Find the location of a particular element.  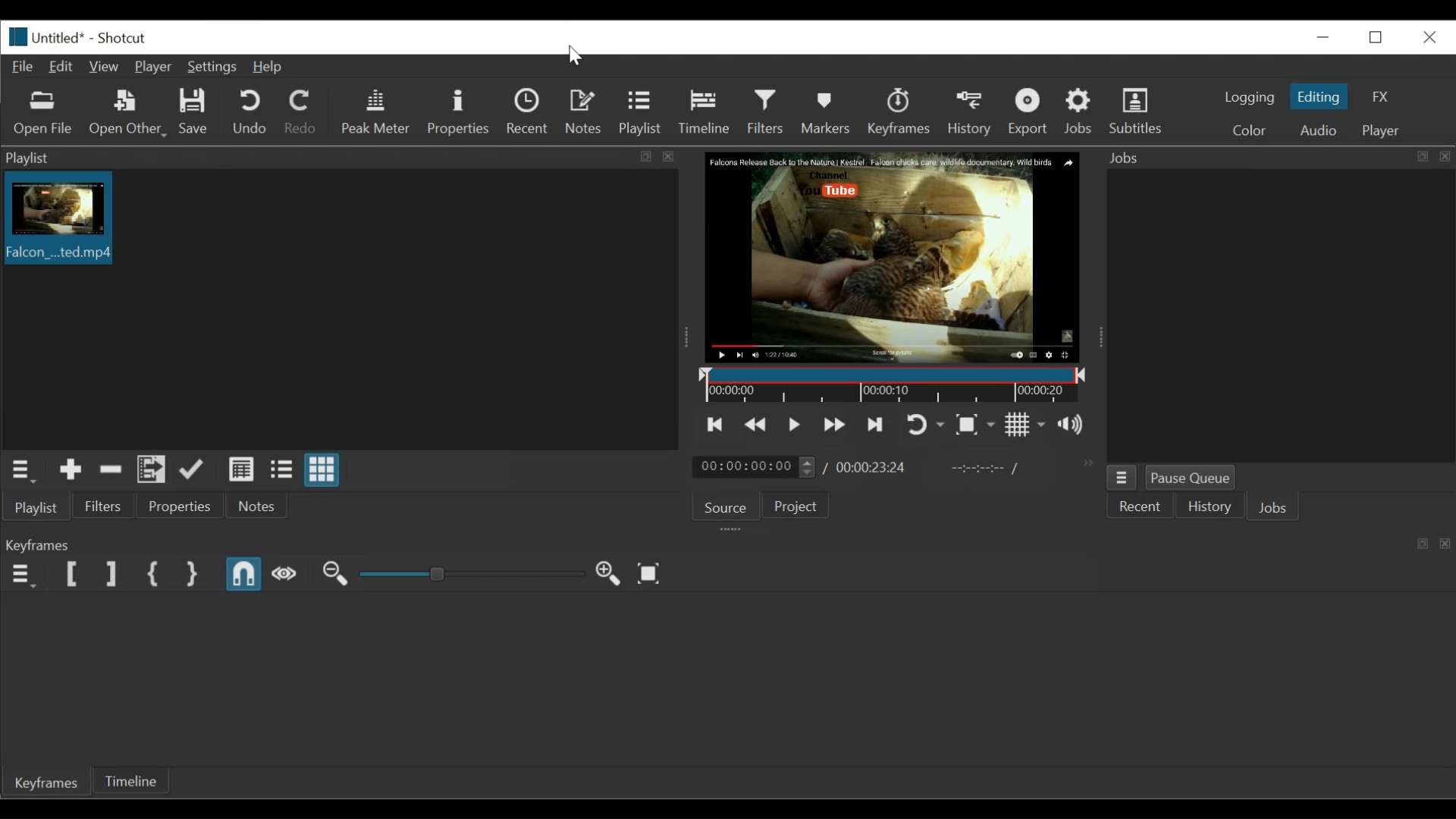

Cursor is located at coordinates (579, 55).